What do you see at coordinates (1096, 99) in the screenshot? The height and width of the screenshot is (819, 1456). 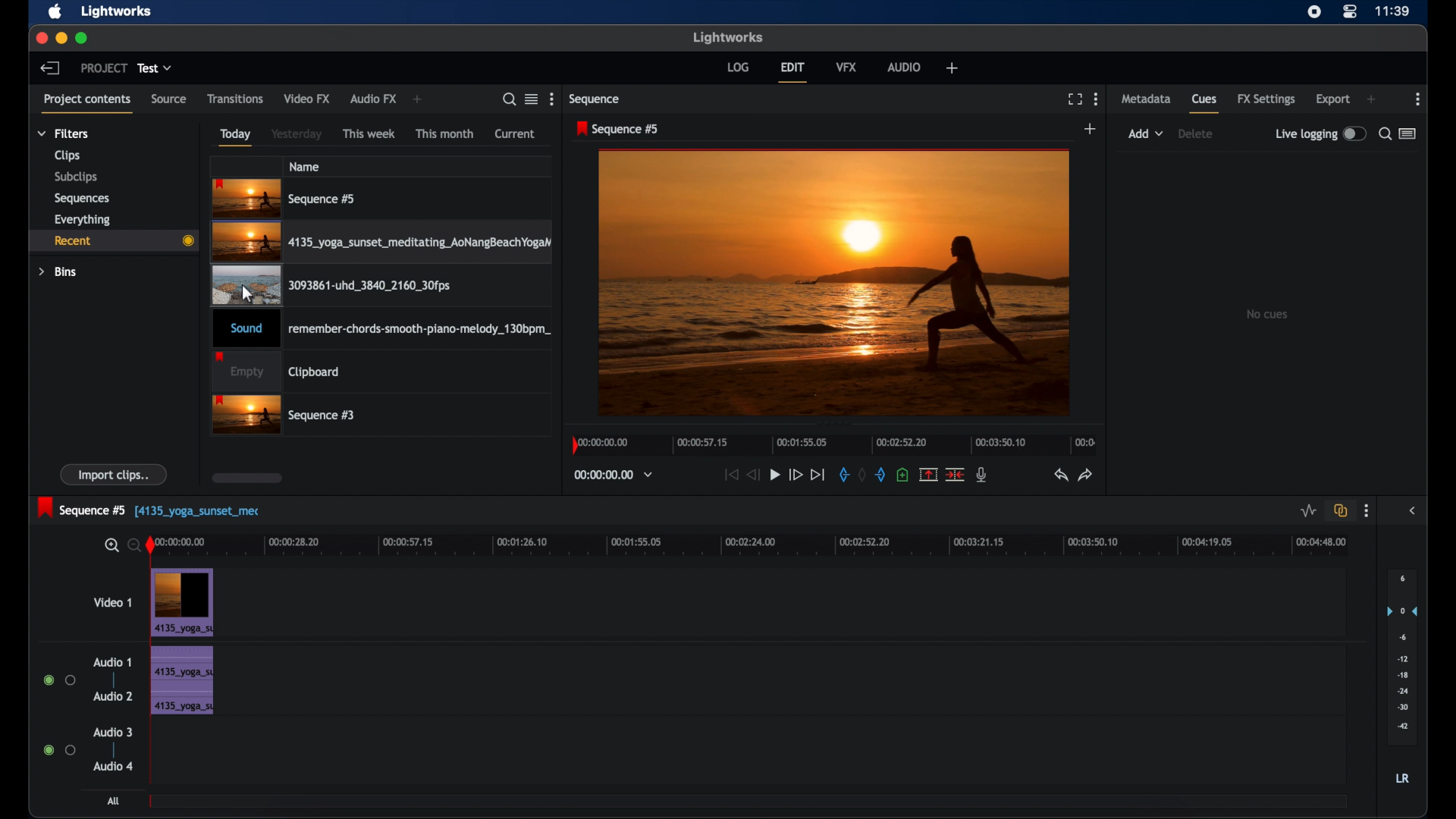 I see `more options` at bounding box center [1096, 99].